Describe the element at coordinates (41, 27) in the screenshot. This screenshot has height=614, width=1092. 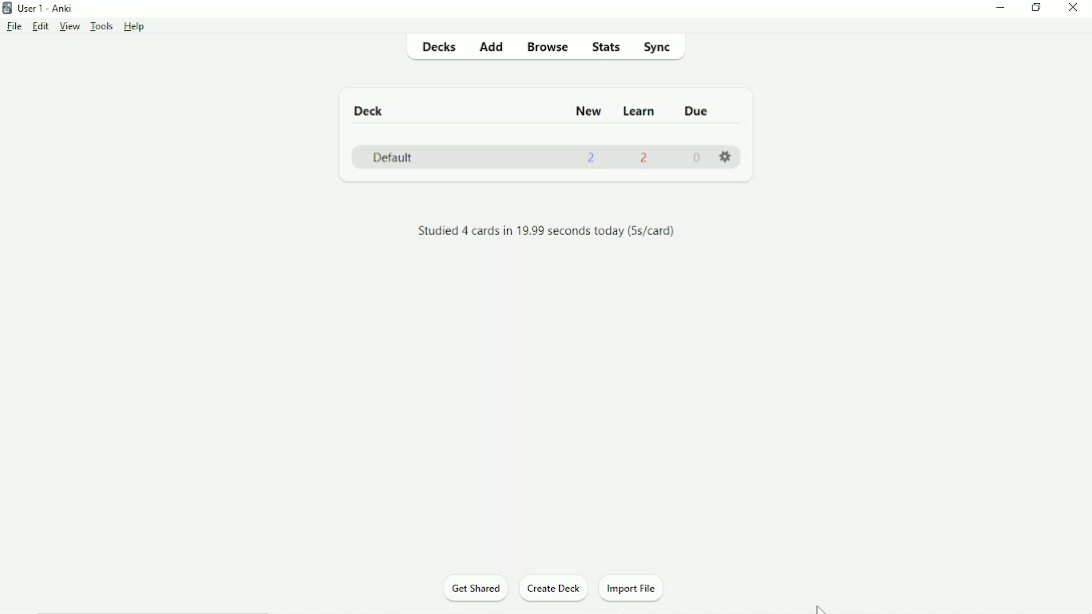
I see `Edit` at that location.